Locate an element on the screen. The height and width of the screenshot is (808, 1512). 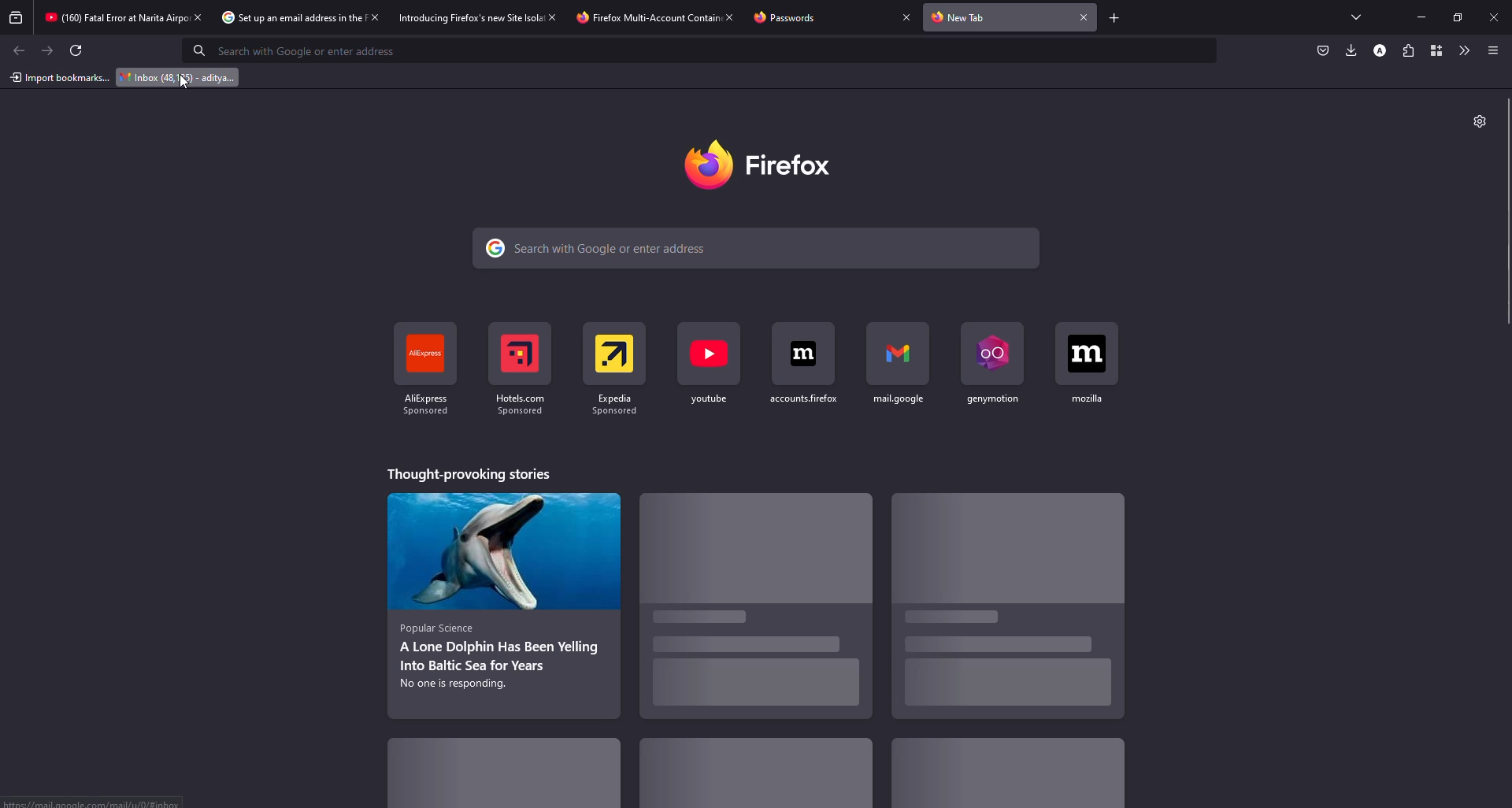
close is located at coordinates (1496, 16).